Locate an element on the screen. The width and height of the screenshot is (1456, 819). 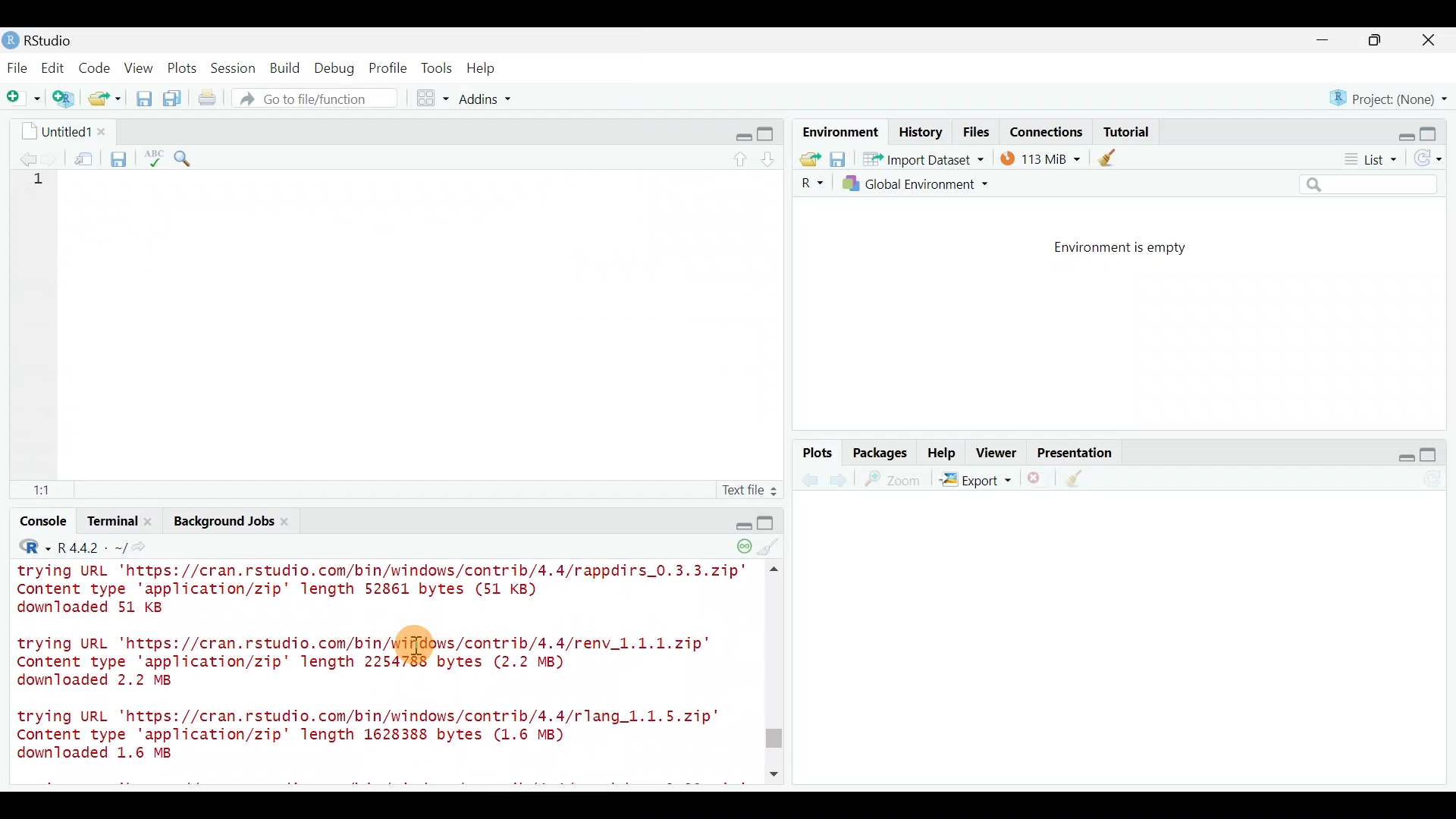
close terminal is located at coordinates (149, 519).